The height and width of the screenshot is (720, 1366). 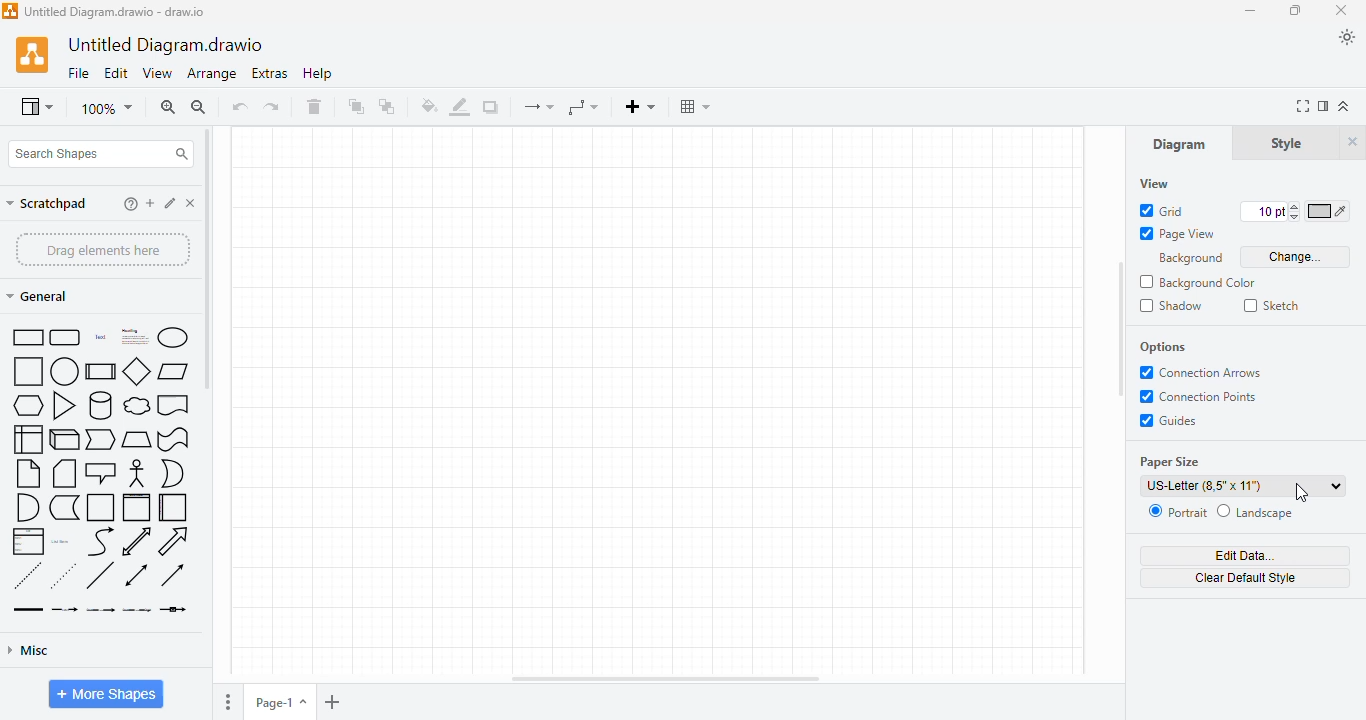 What do you see at coordinates (1198, 282) in the screenshot?
I see `background color` at bounding box center [1198, 282].